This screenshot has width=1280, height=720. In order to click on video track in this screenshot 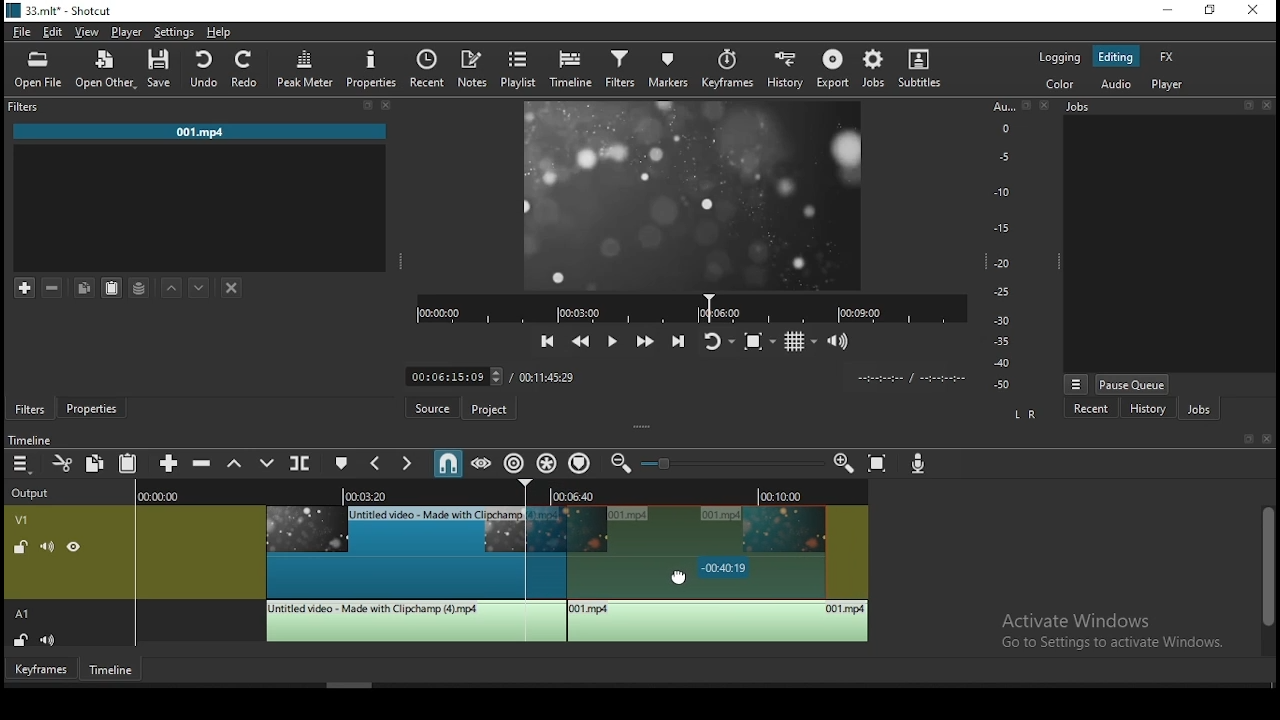, I will do `click(31, 522)`.